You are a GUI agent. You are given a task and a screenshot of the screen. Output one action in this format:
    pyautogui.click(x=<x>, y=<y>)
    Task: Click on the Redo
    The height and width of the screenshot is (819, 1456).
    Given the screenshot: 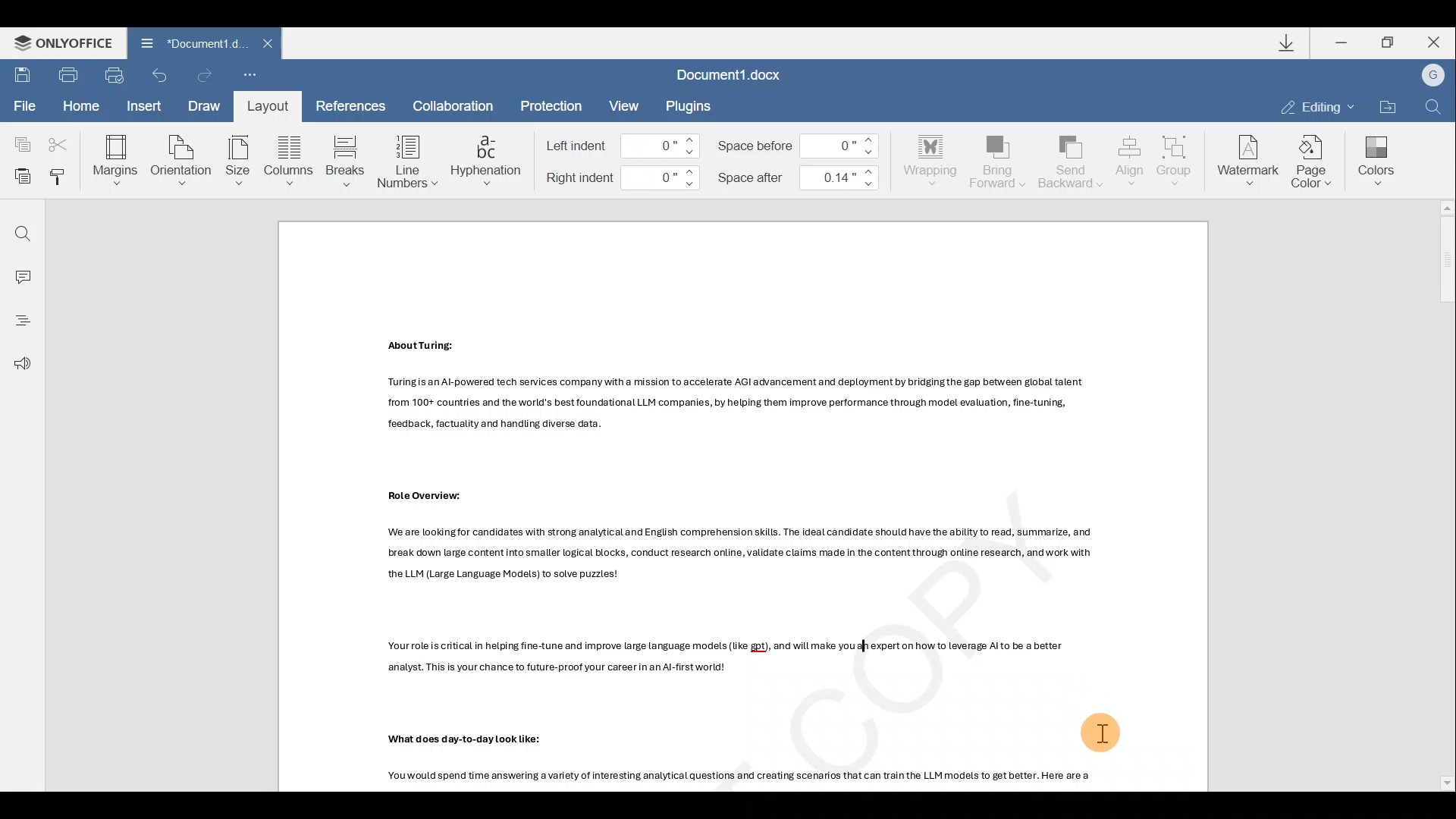 What is the action you would take?
    pyautogui.click(x=202, y=74)
    